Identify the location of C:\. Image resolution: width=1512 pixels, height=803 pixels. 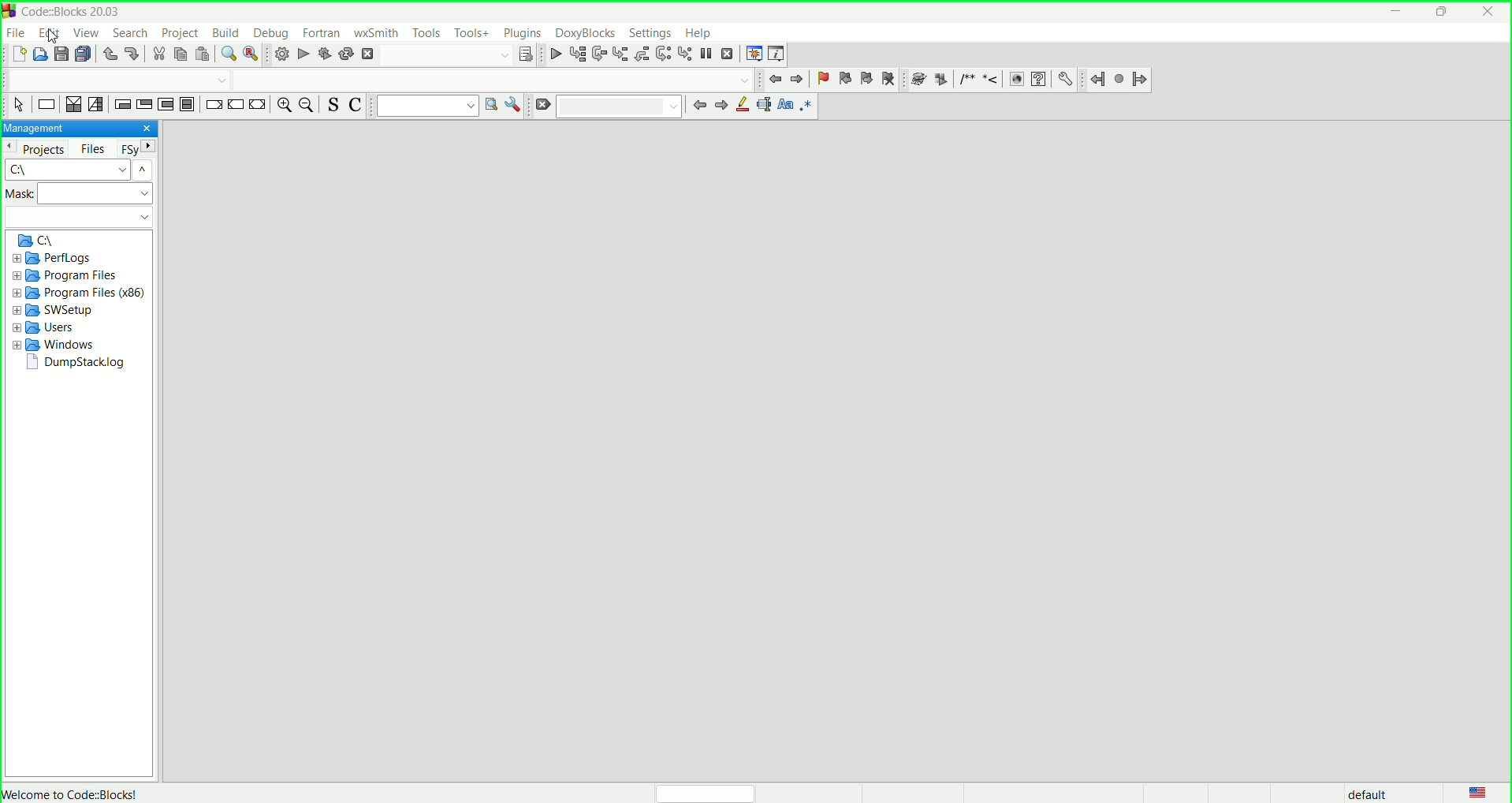
(35, 240).